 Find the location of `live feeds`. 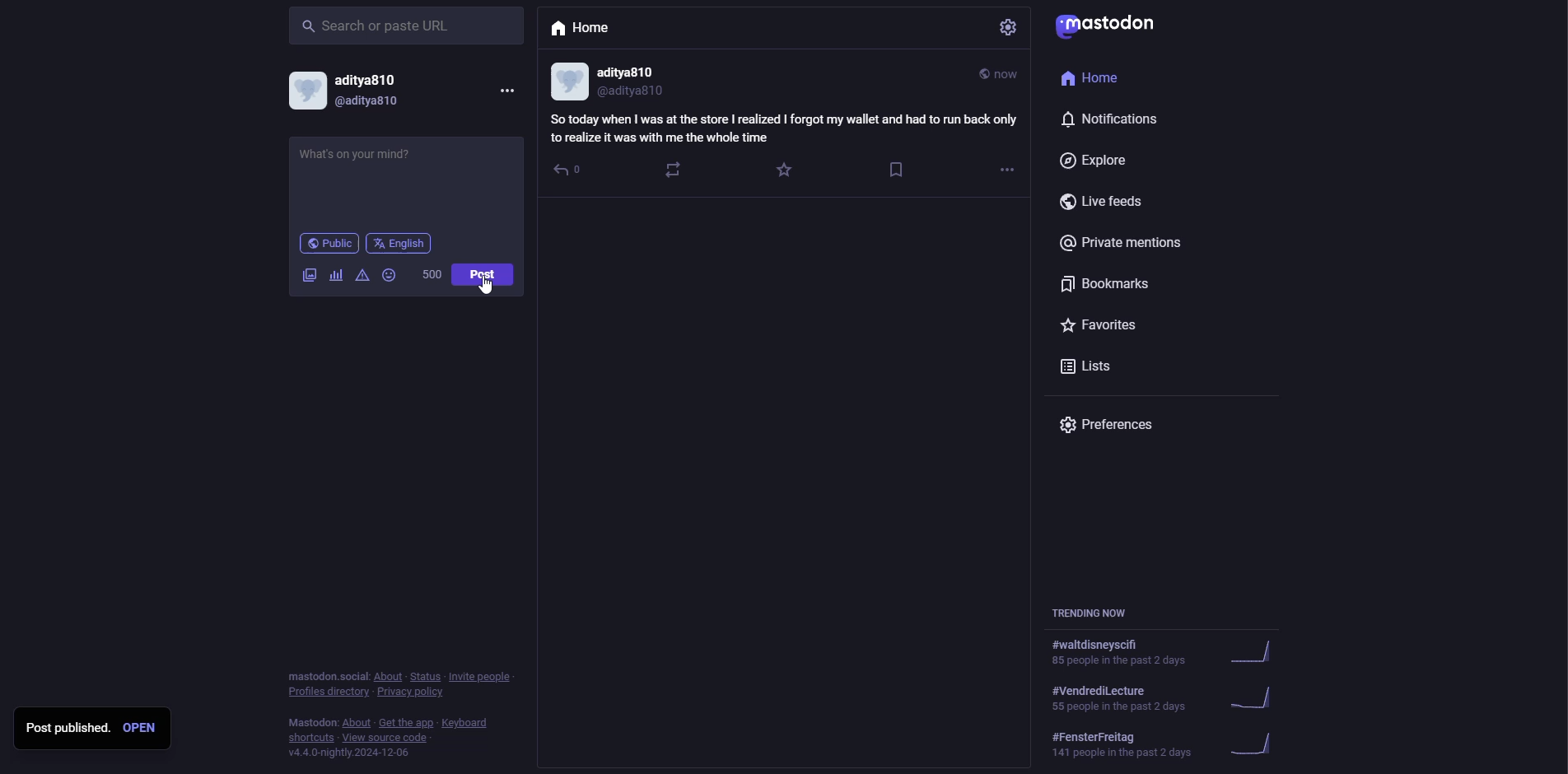

live feeds is located at coordinates (1104, 204).